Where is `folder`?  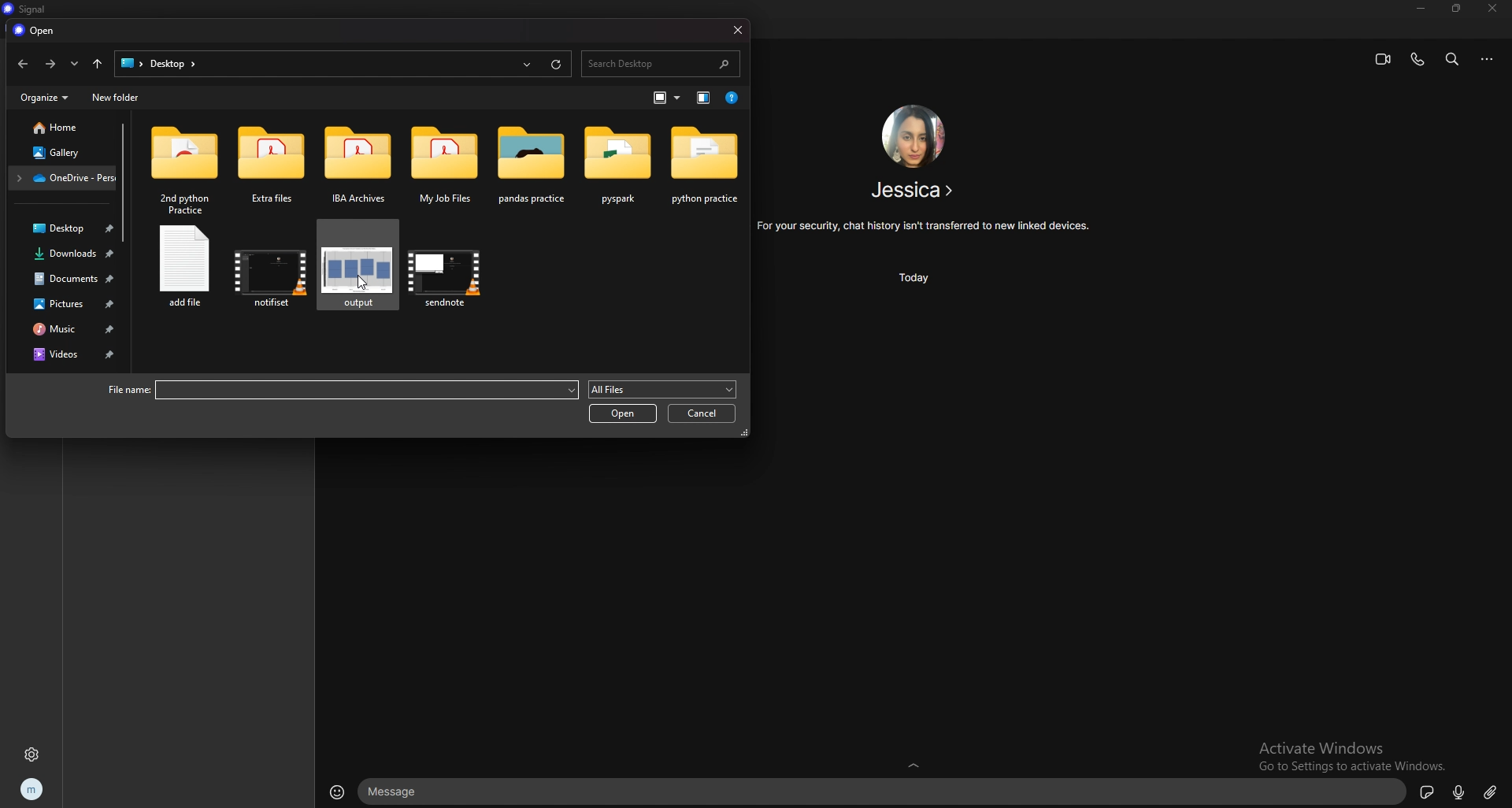
folder is located at coordinates (63, 178).